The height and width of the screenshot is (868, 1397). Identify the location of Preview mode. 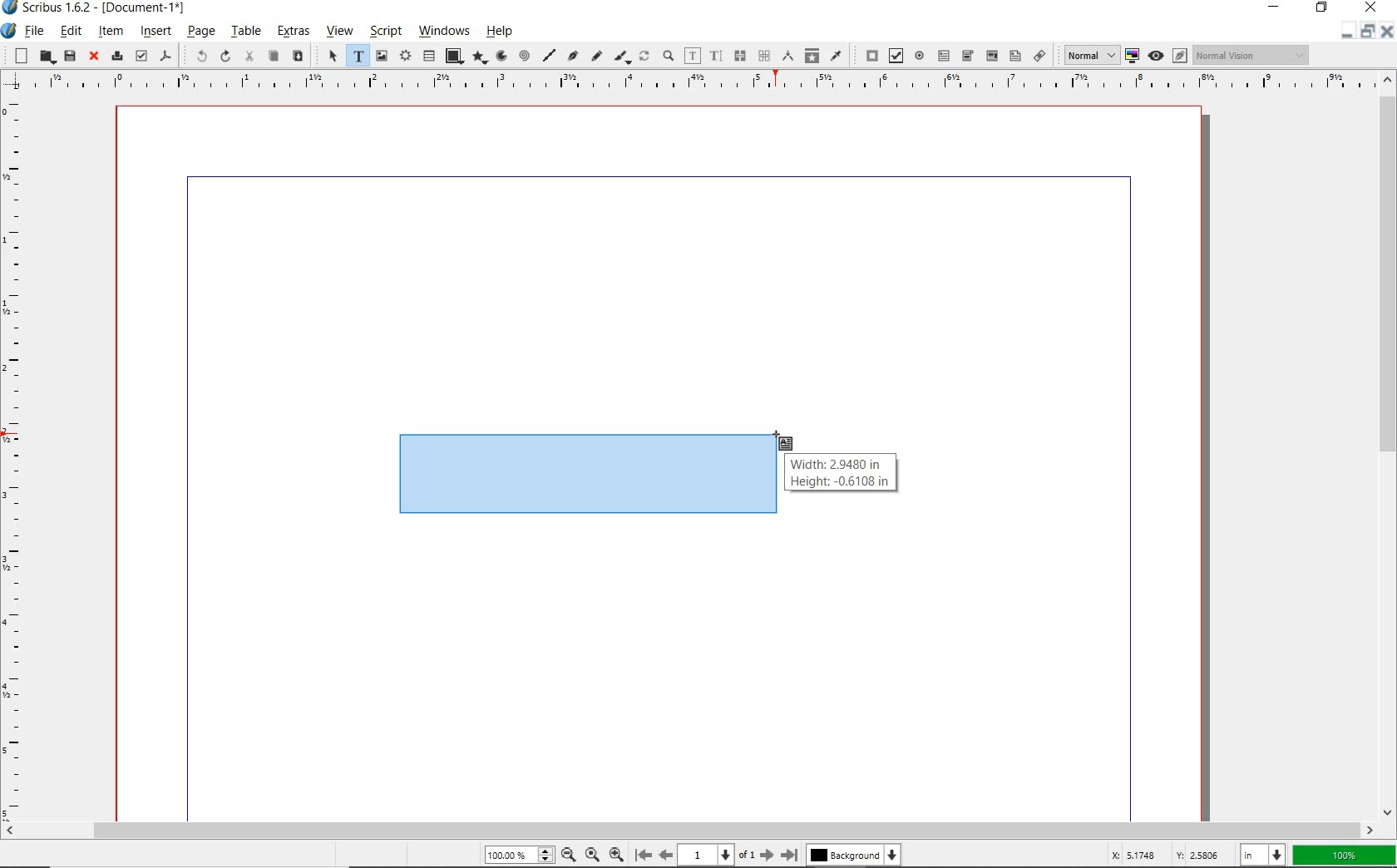
(1155, 55).